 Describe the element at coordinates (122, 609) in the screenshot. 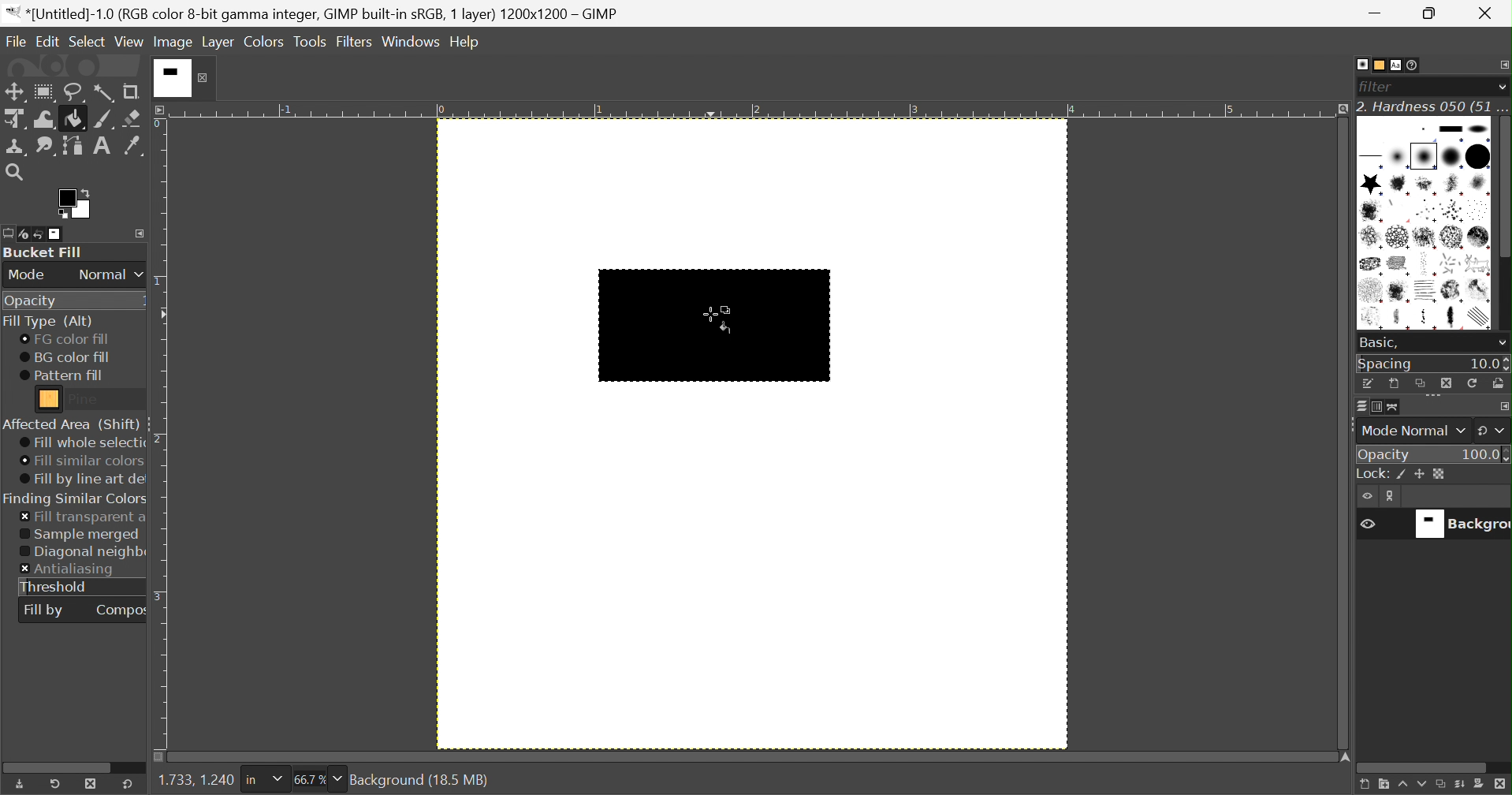

I see `Composite` at that location.